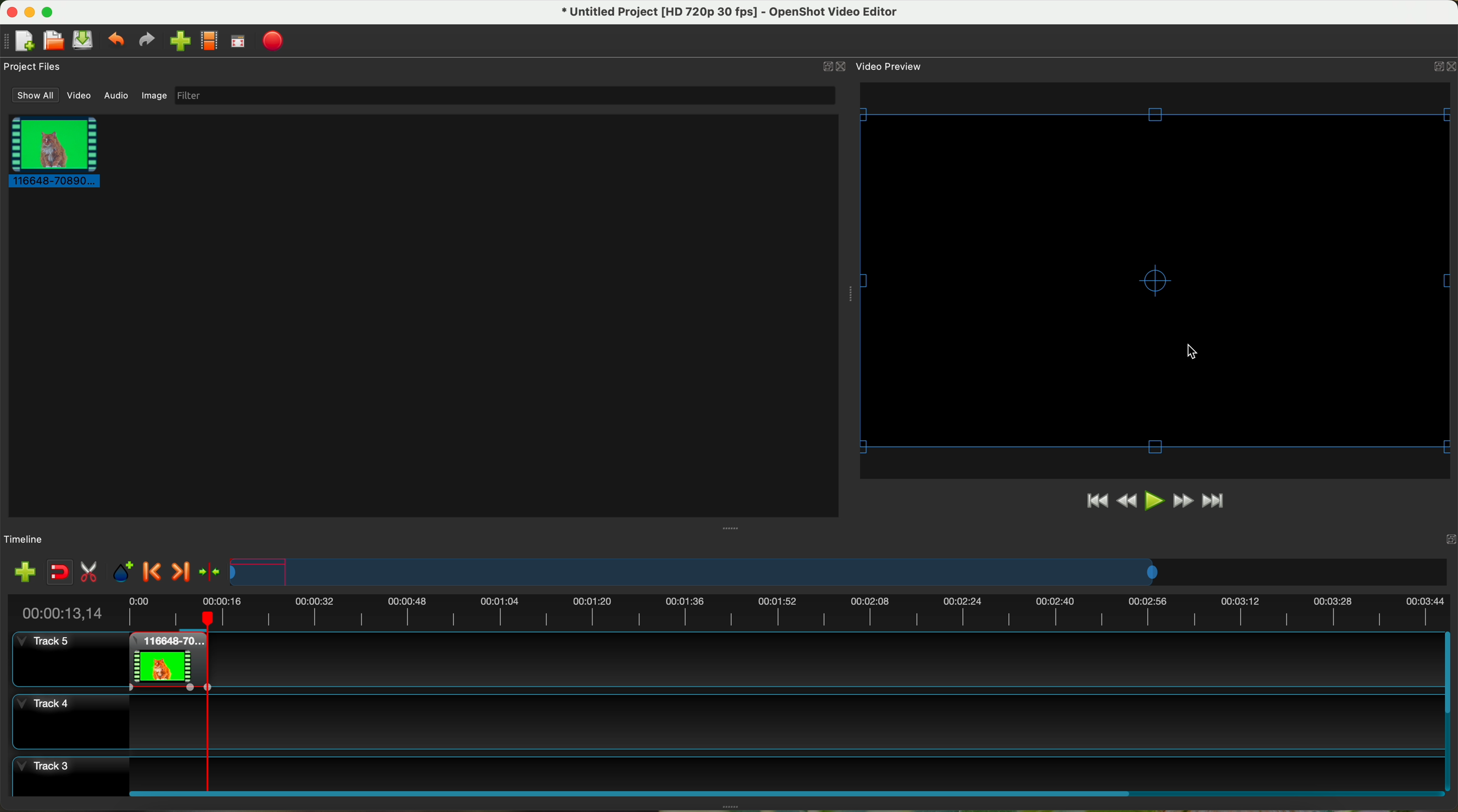 This screenshot has width=1458, height=812. What do you see at coordinates (1193, 349) in the screenshot?
I see `mouse` at bounding box center [1193, 349].